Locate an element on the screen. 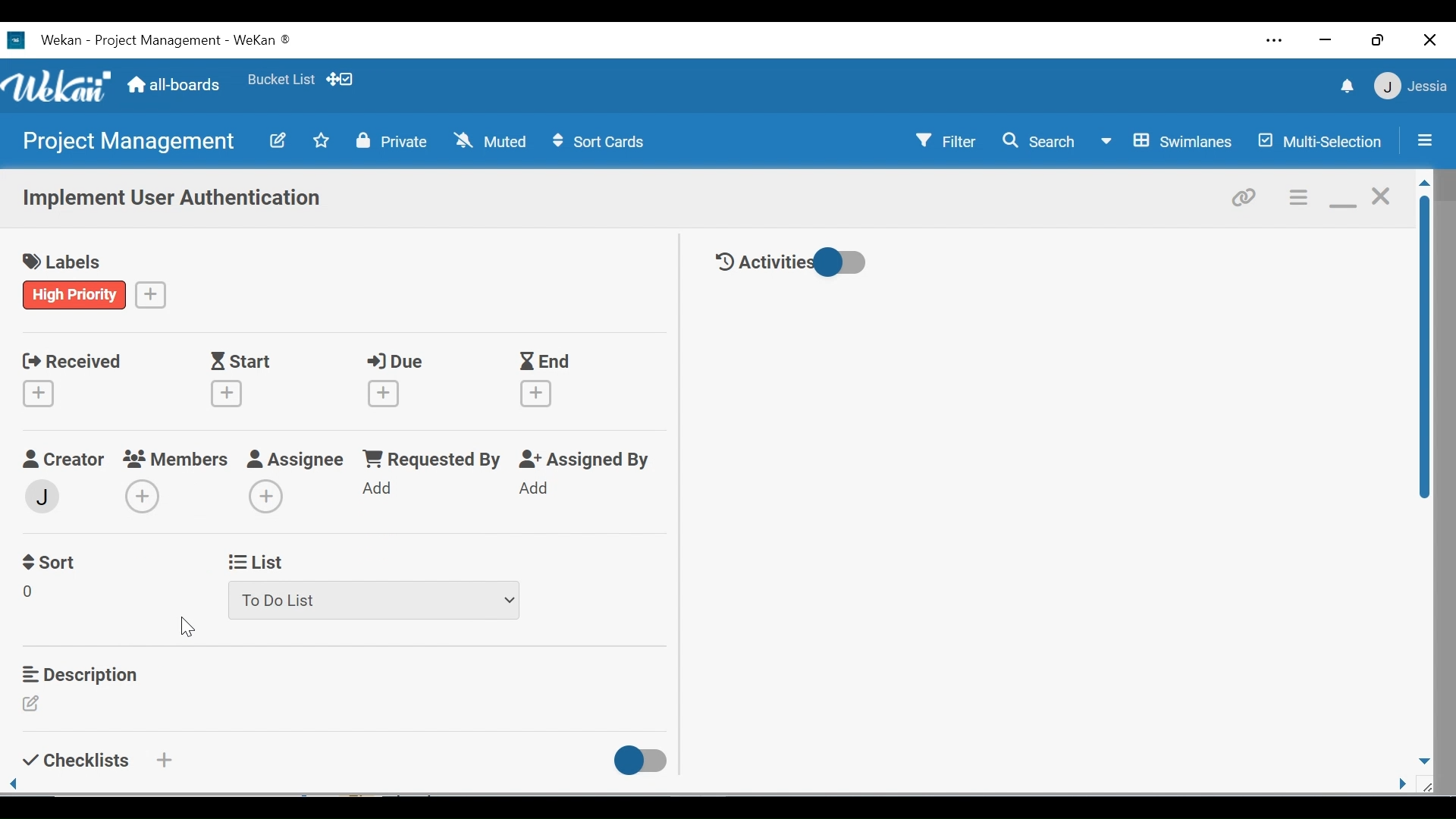  Wekan logo is located at coordinates (60, 86).